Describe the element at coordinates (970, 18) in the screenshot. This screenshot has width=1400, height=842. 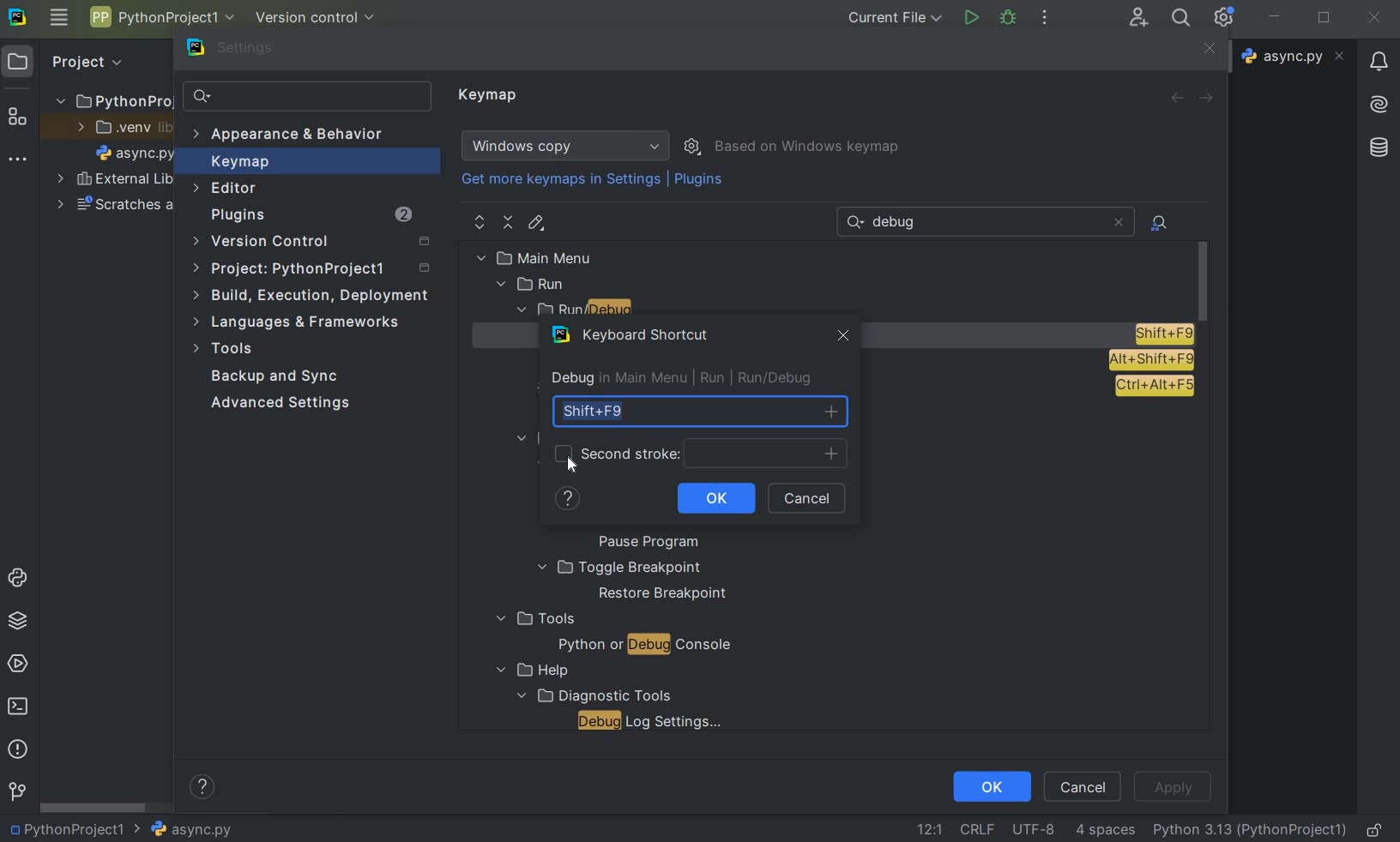
I see `run` at that location.